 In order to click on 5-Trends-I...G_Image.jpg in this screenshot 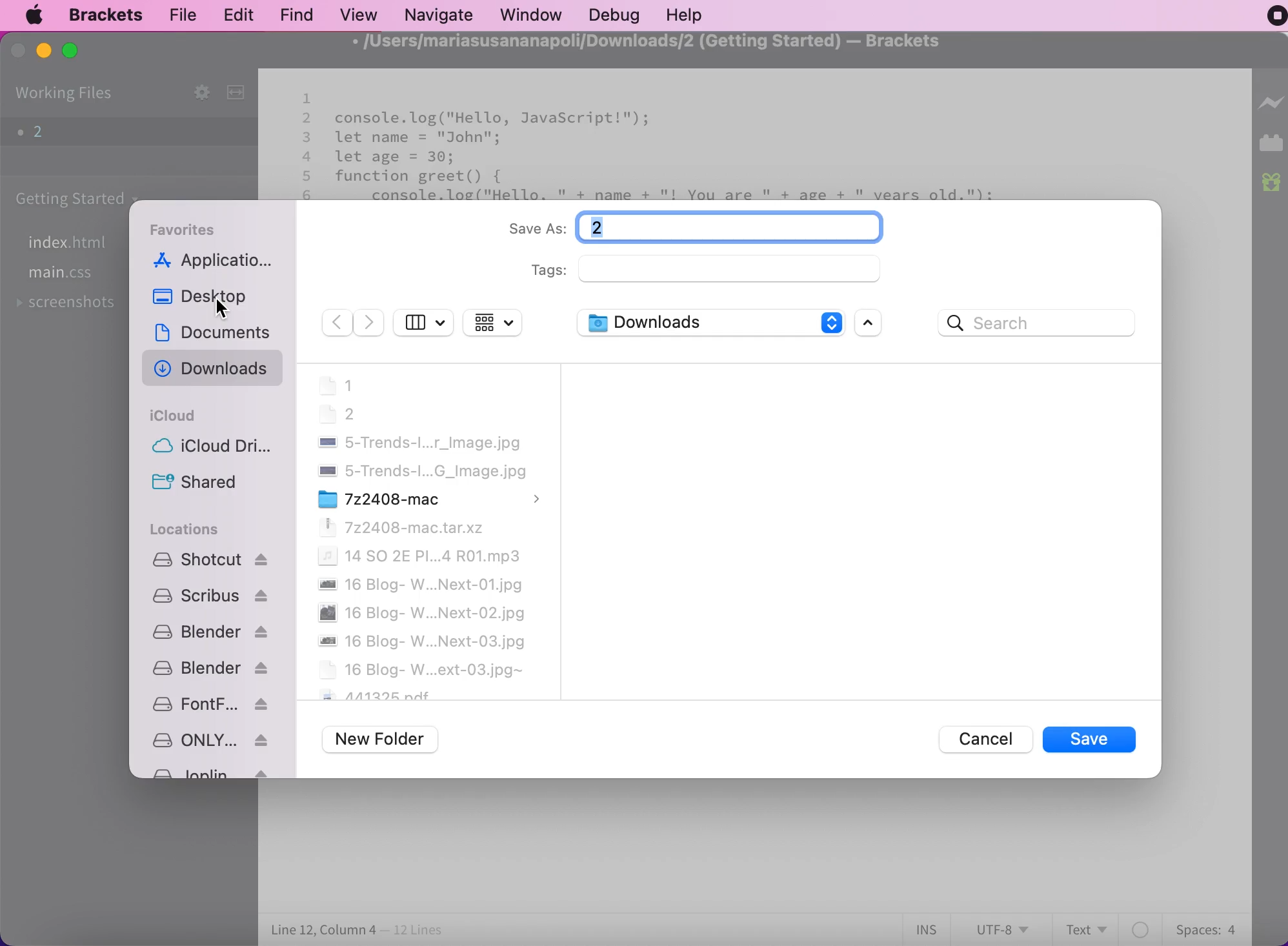, I will do `click(421, 471)`.